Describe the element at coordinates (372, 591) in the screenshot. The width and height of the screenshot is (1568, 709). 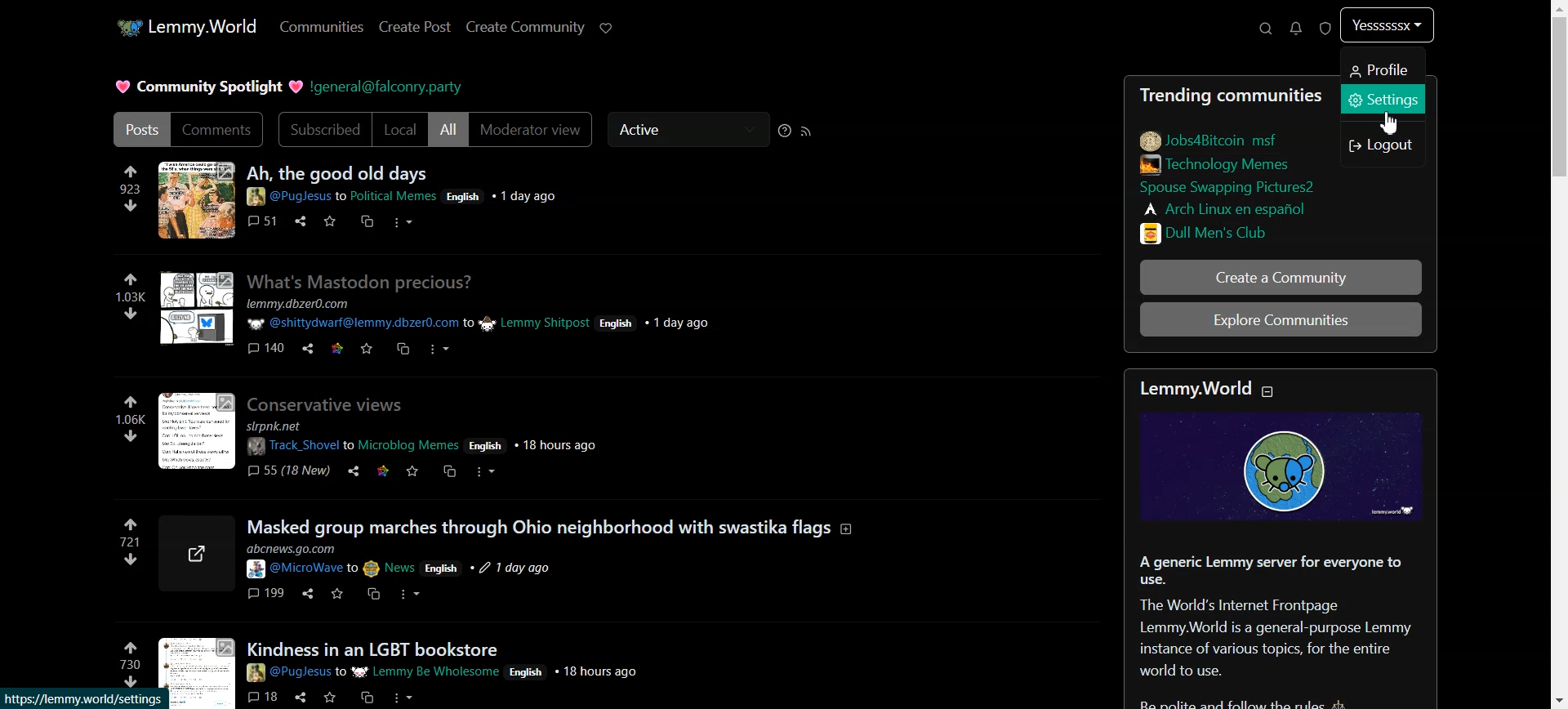
I see `cross share` at that location.